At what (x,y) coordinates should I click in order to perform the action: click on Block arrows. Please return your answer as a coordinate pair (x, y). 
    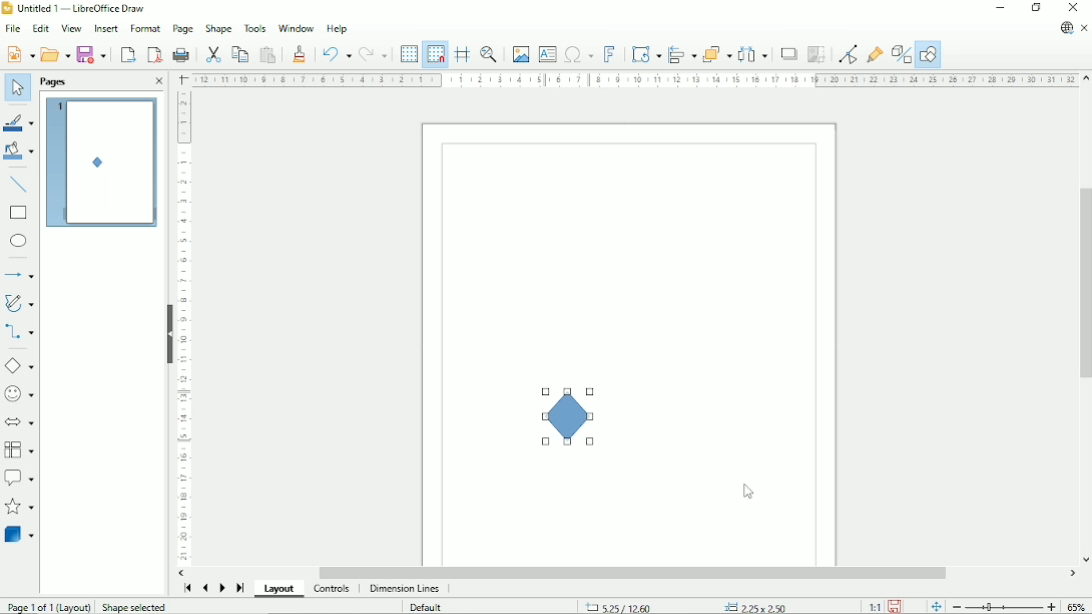
    Looking at the image, I should click on (19, 422).